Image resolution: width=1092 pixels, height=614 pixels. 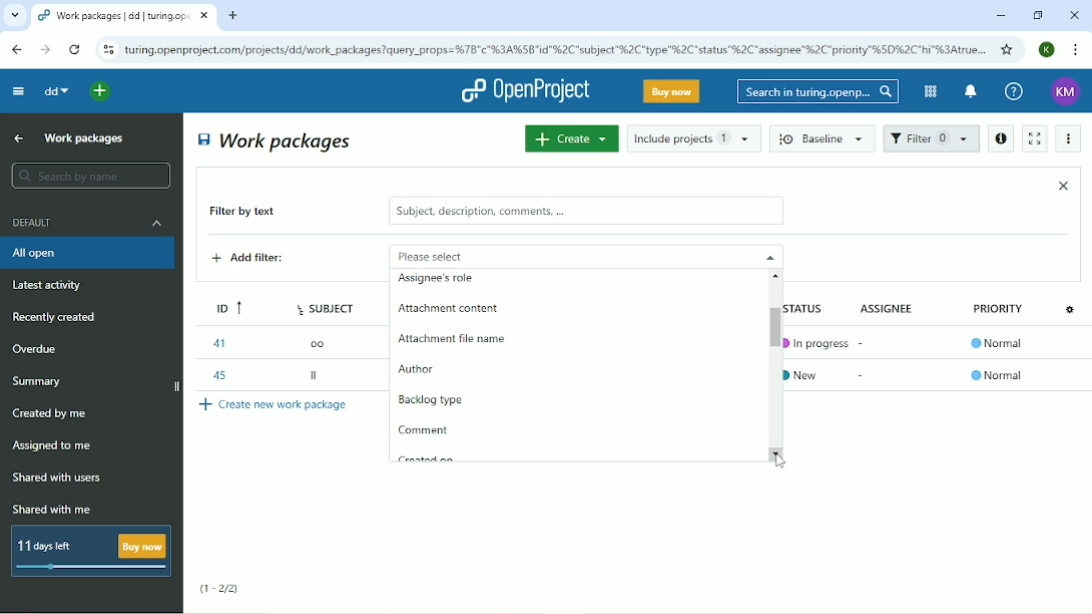 I want to click on -, so click(x=864, y=340).